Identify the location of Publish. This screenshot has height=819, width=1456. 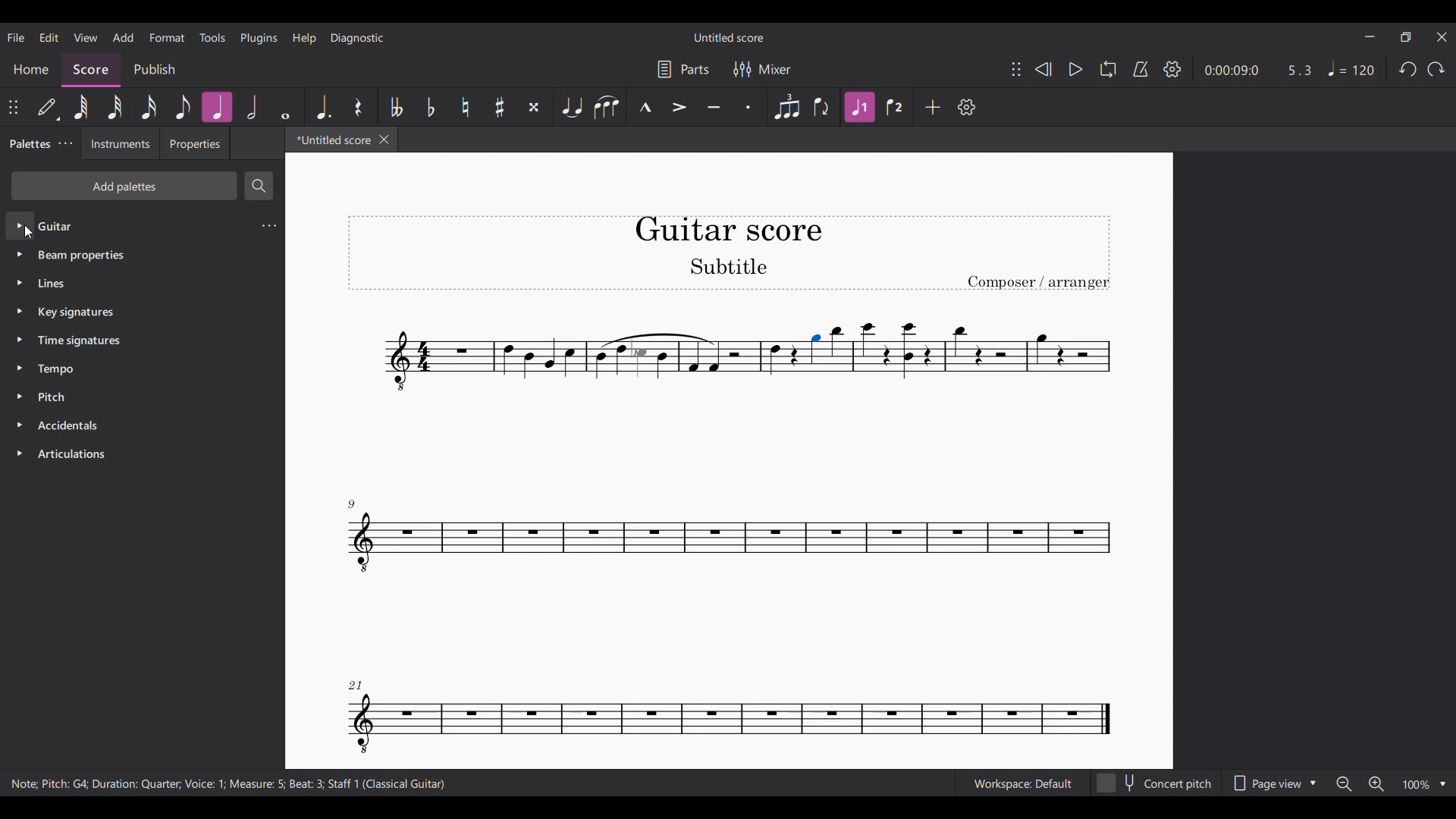
(155, 71).